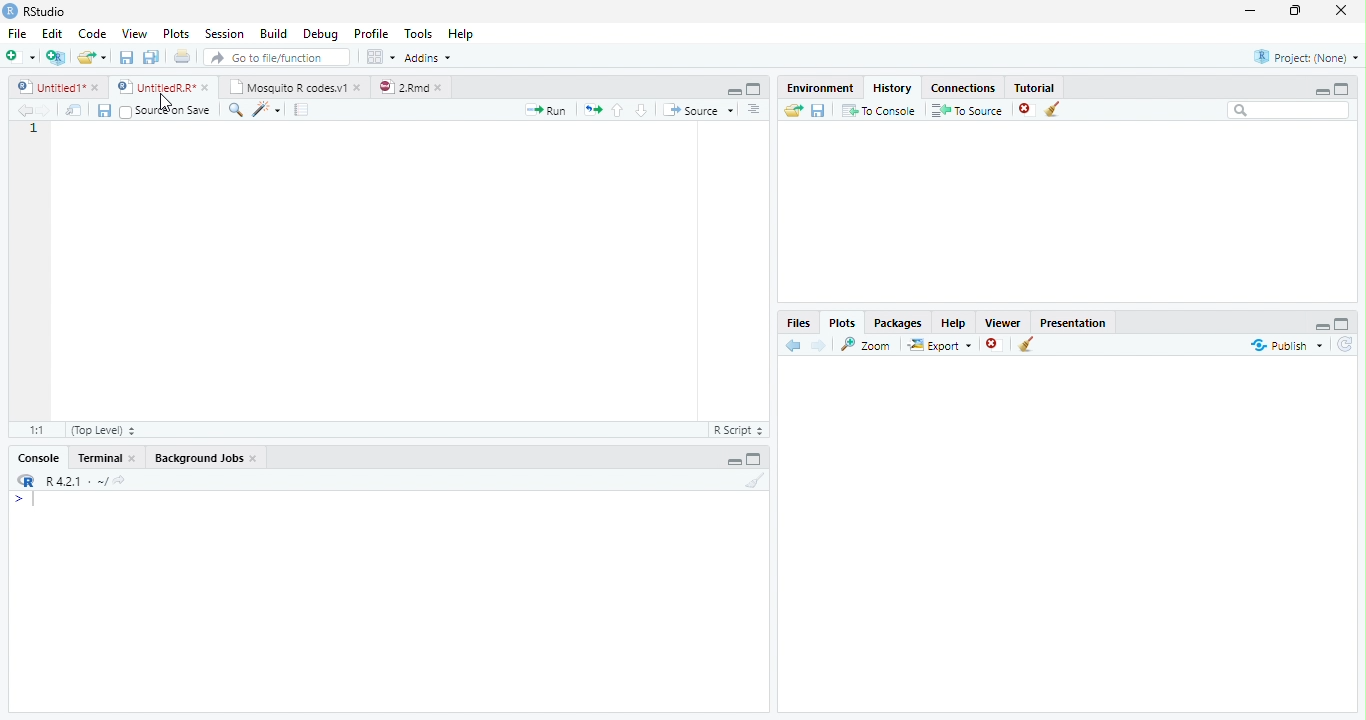 The width and height of the screenshot is (1366, 720). What do you see at coordinates (165, 111) in the screenshot?
I see `Source on Save` at bounding box center [165, 111].